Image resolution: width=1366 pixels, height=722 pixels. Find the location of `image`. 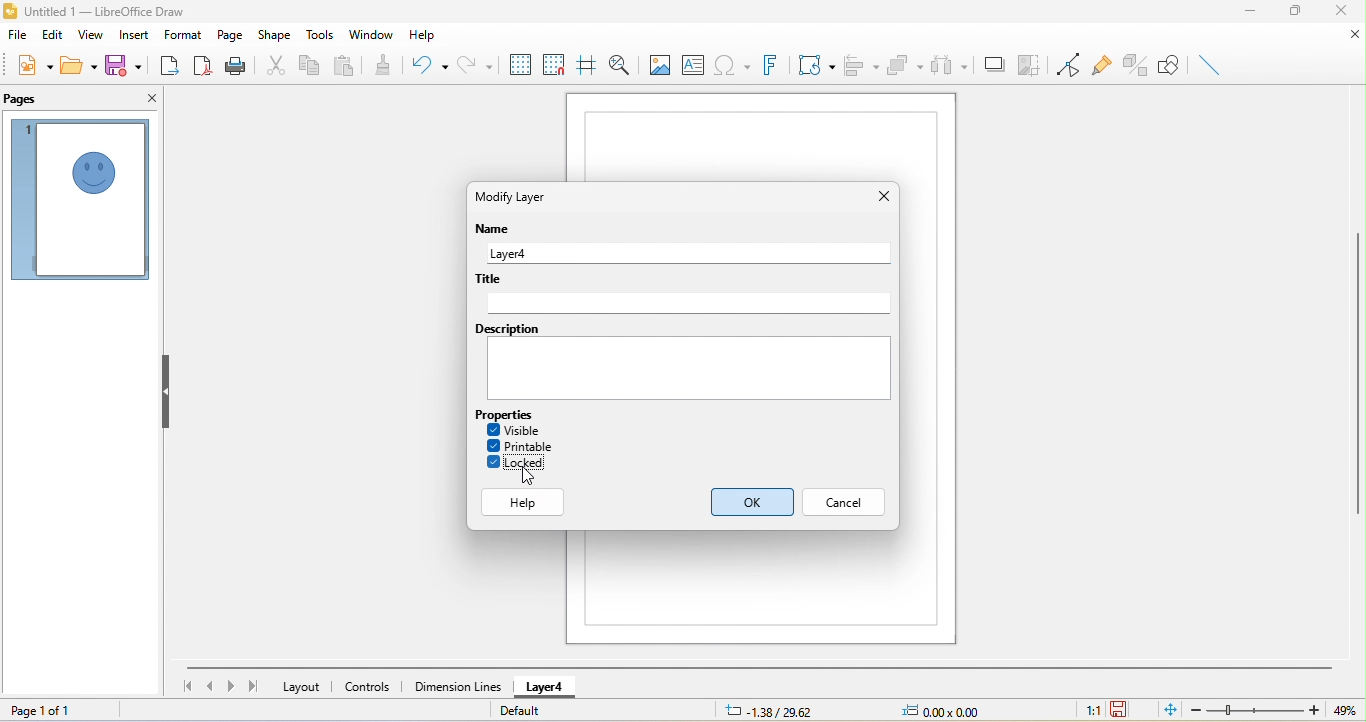

image is located at coordinates (659, 64).